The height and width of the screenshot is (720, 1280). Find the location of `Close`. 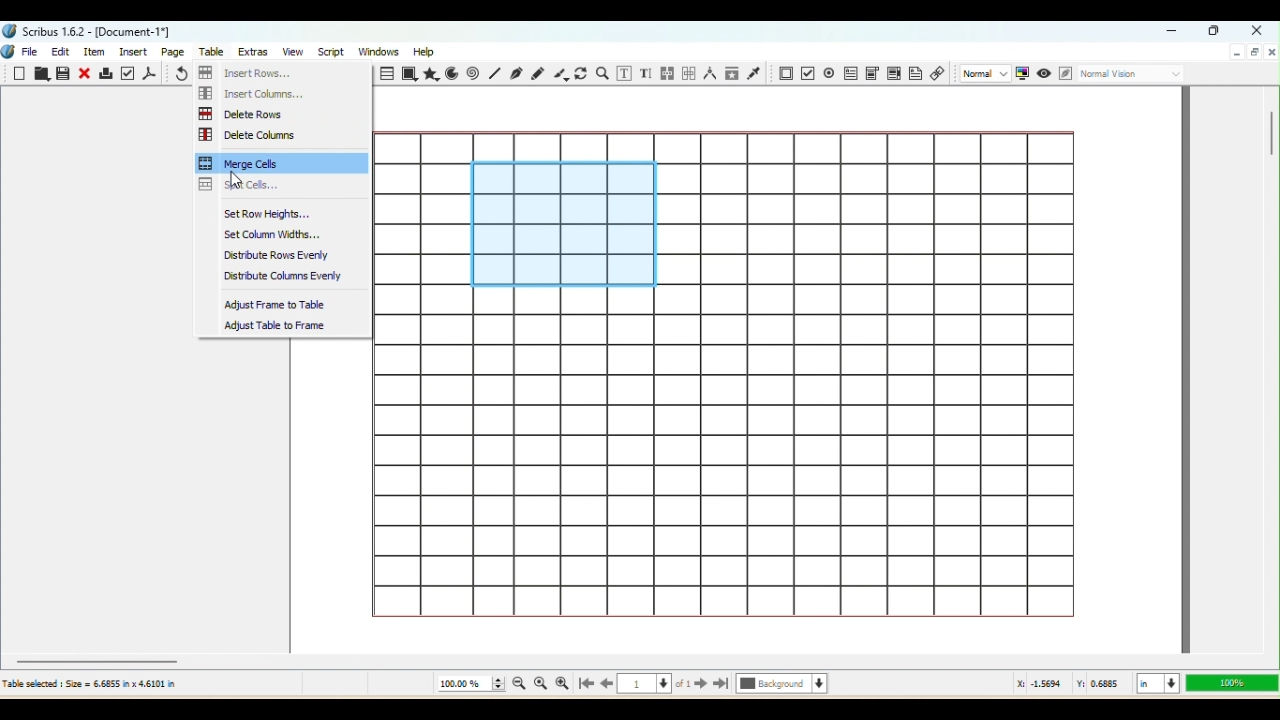

Close is located at coordinates (86, 73).